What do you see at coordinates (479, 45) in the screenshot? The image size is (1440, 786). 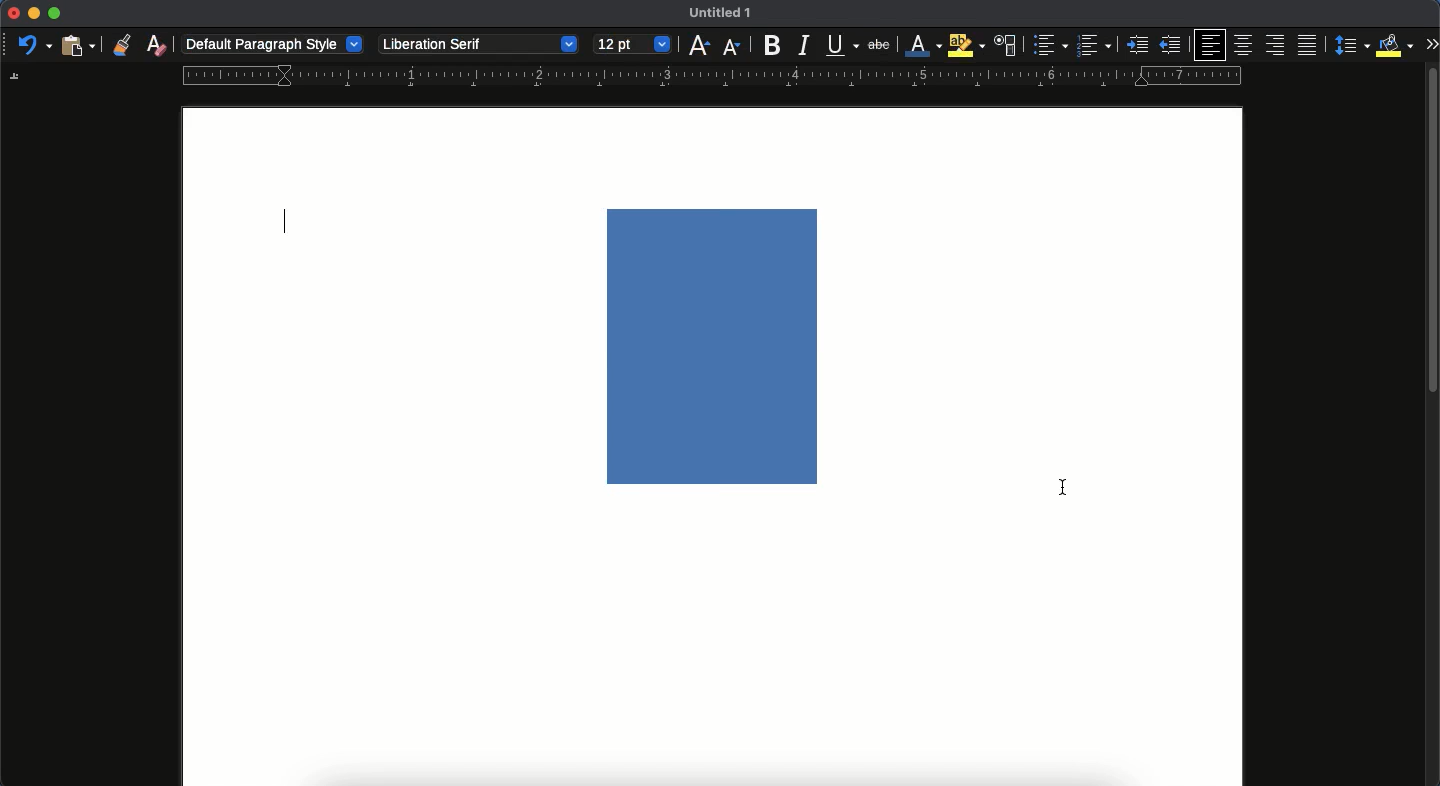 I see `liberation serif - font style` at bounding box center [479, 45].